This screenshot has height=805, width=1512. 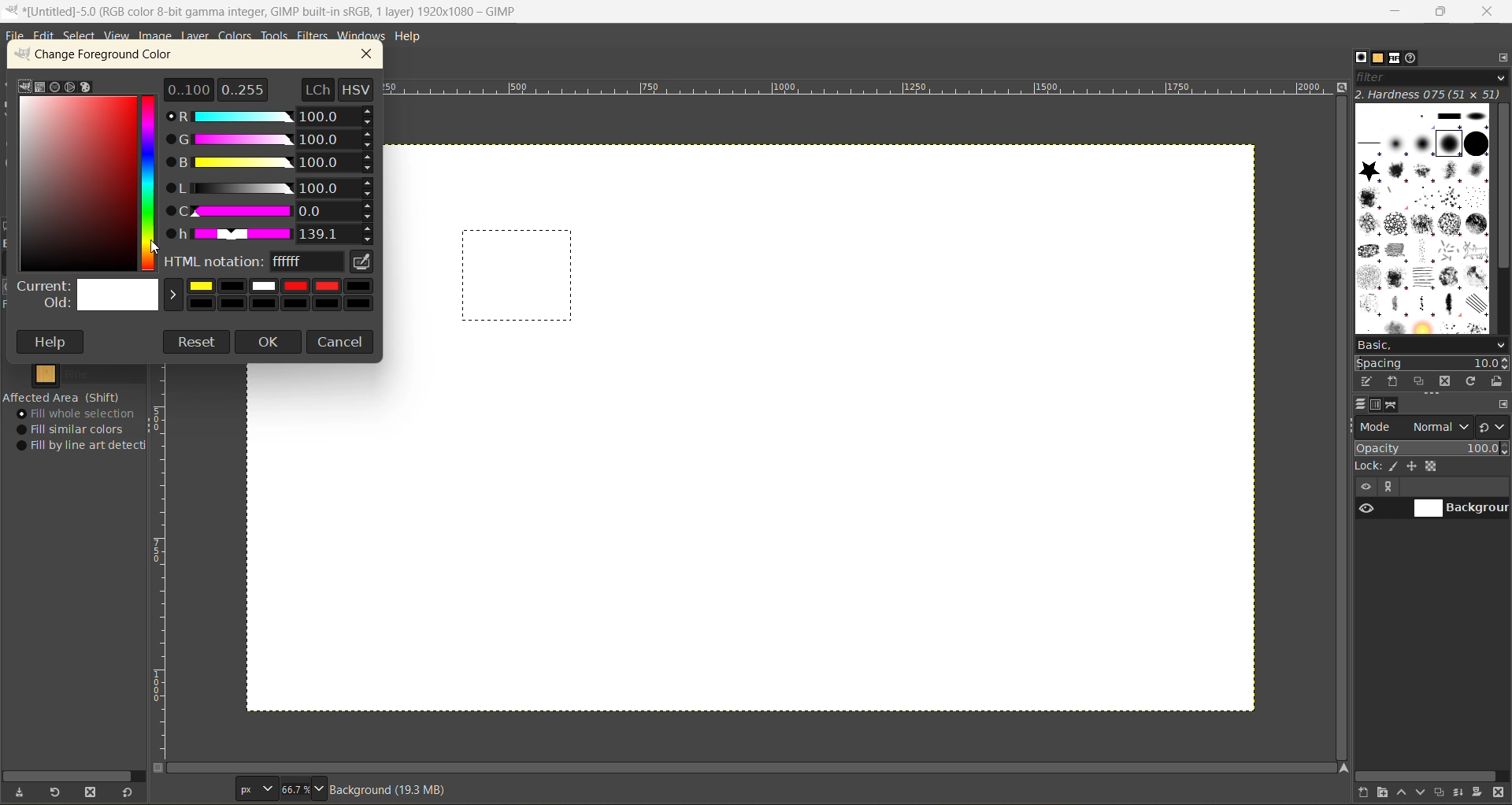 What do you see at coordinates (63, 397) in the screenshot?
I see `affected area` at bounding box center [63, 397].